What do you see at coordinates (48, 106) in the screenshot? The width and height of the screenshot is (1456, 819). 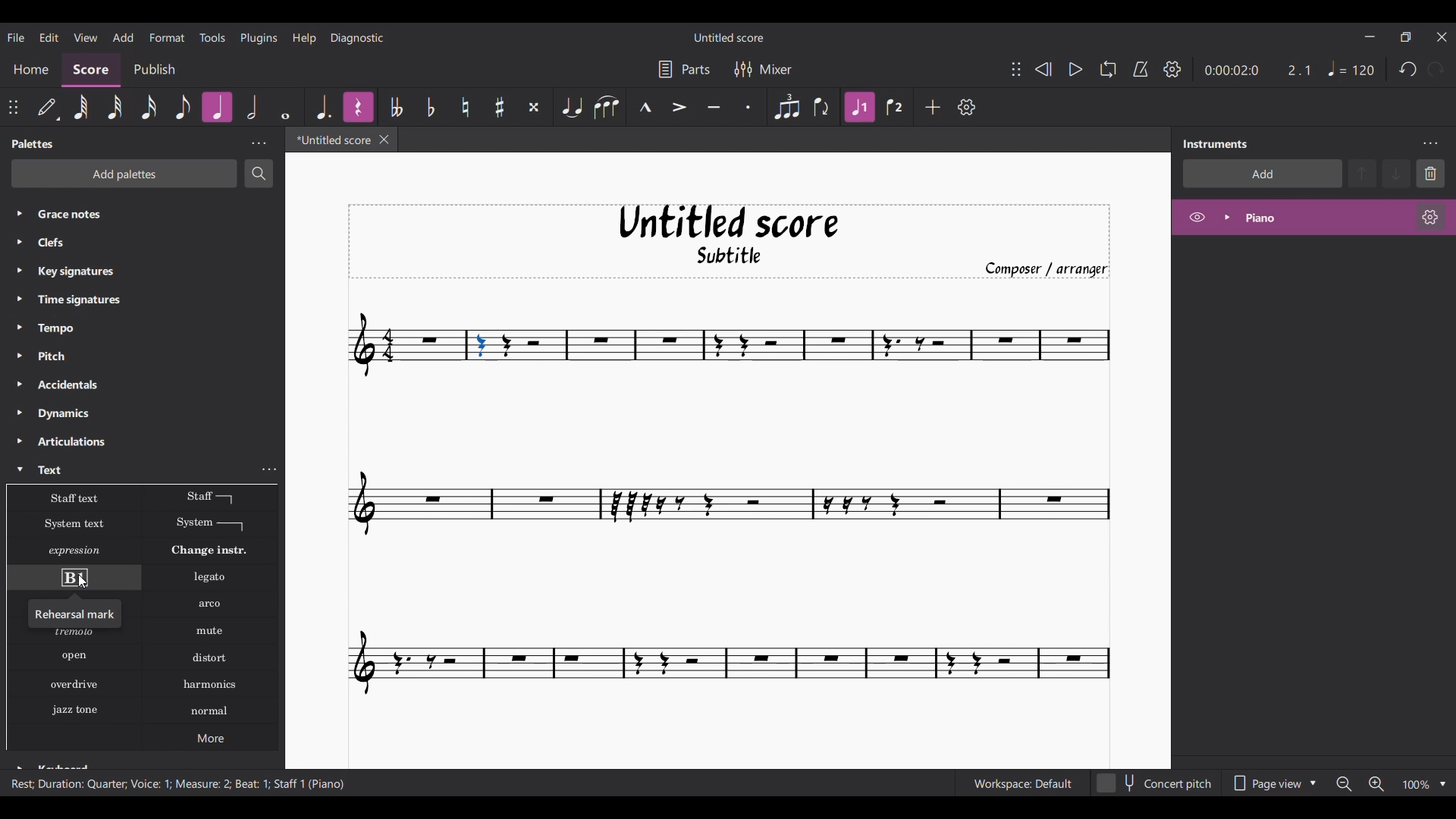 I see `Default` at bounding box center [48, 106].